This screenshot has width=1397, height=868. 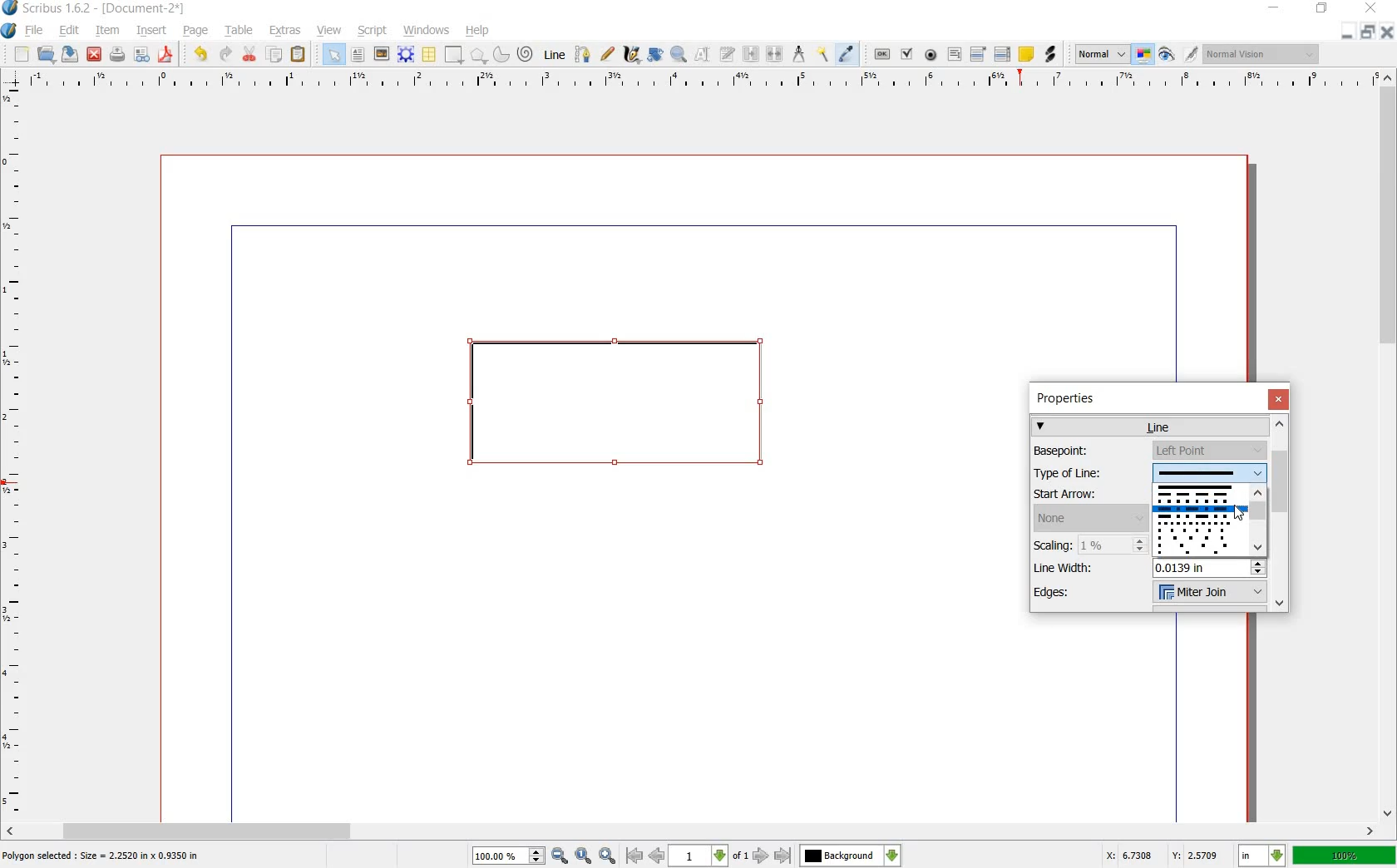 What do you see at coordinates (299, 54) in the screenshot?
I see `PASTE` at bounding box center [299, 54].